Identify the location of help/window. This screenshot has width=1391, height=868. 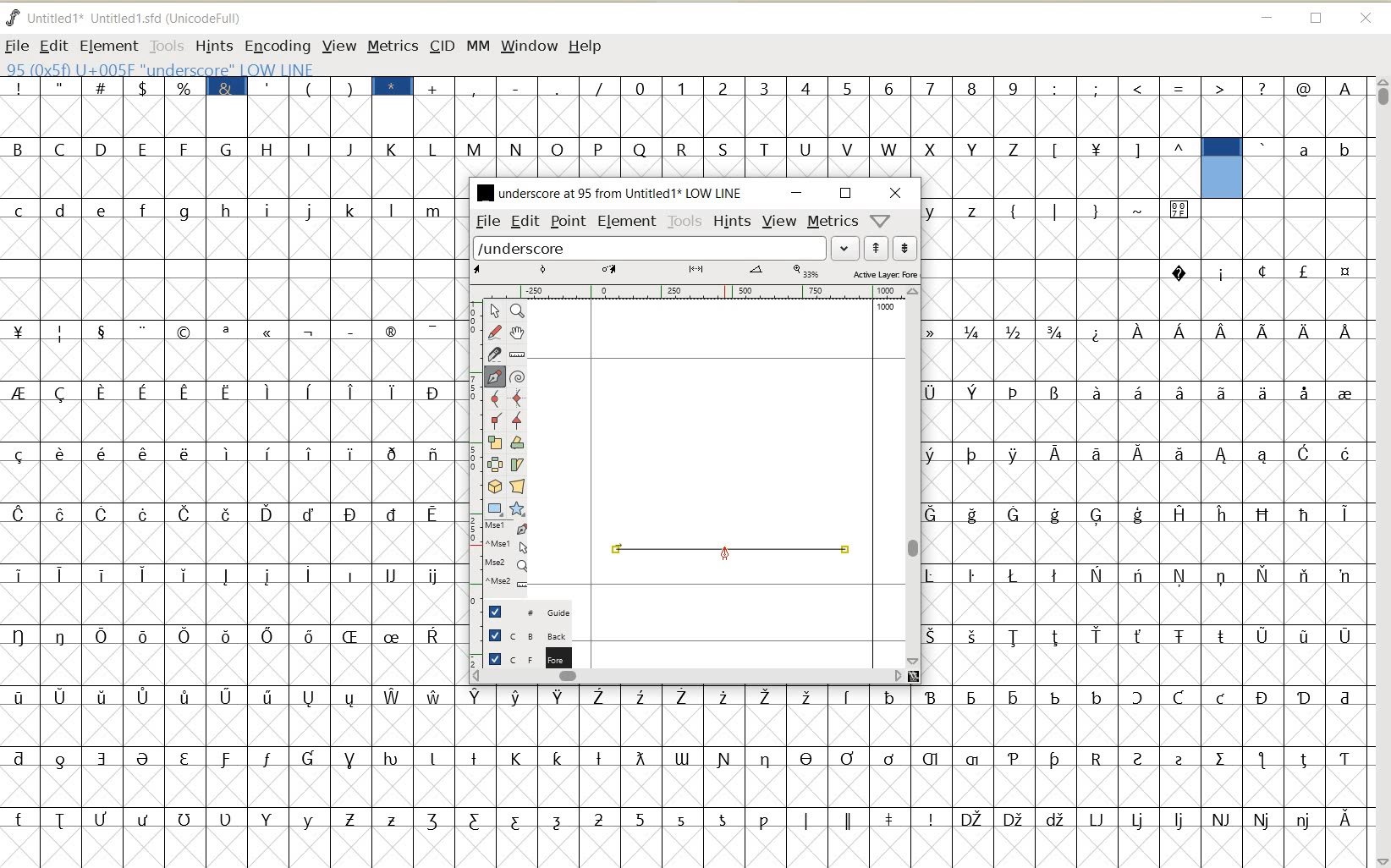
(879, 221).